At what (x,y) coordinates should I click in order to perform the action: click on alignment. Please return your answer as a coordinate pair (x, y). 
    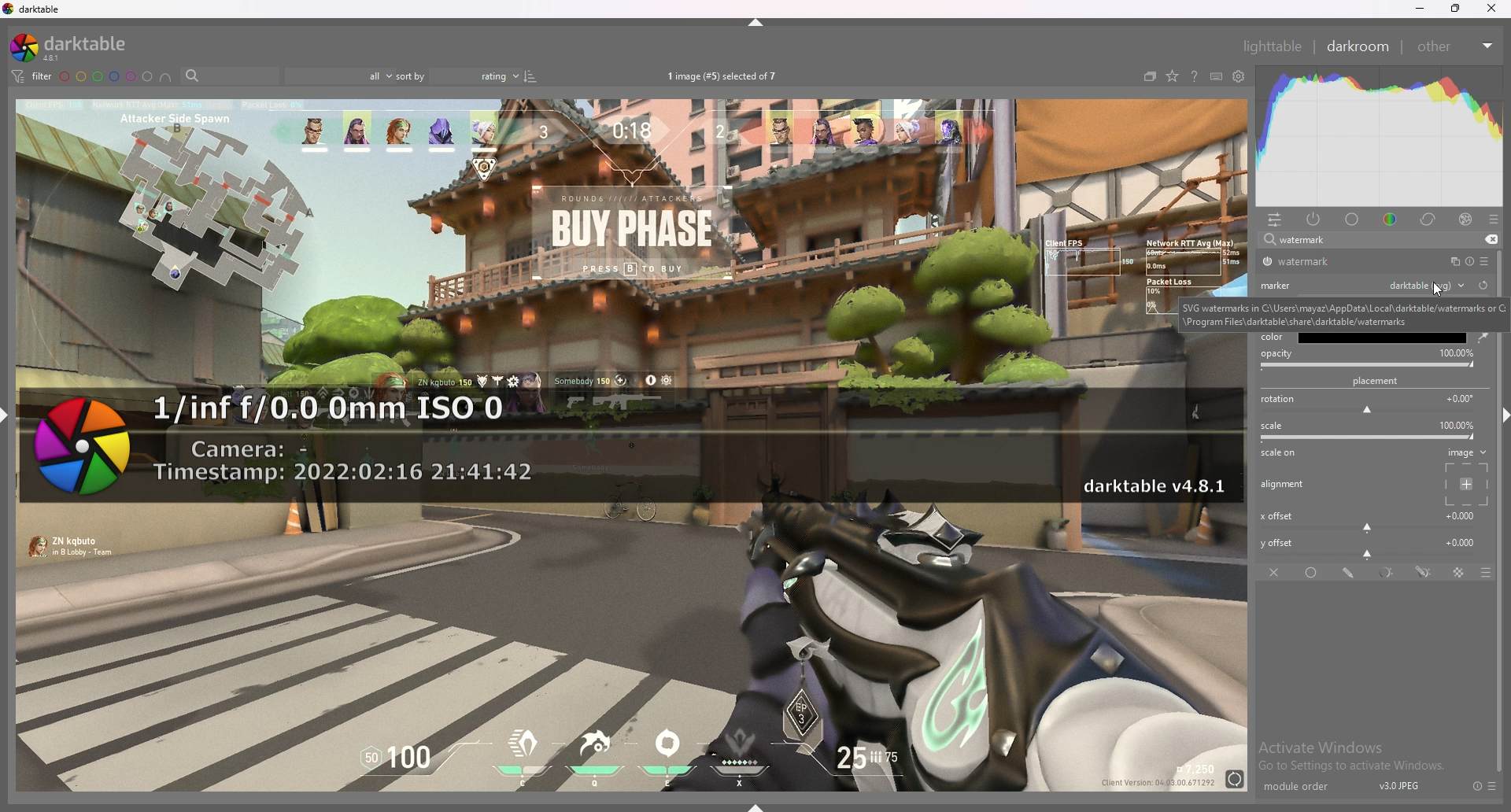
    Looking at the image, I should click on (1285, 485).